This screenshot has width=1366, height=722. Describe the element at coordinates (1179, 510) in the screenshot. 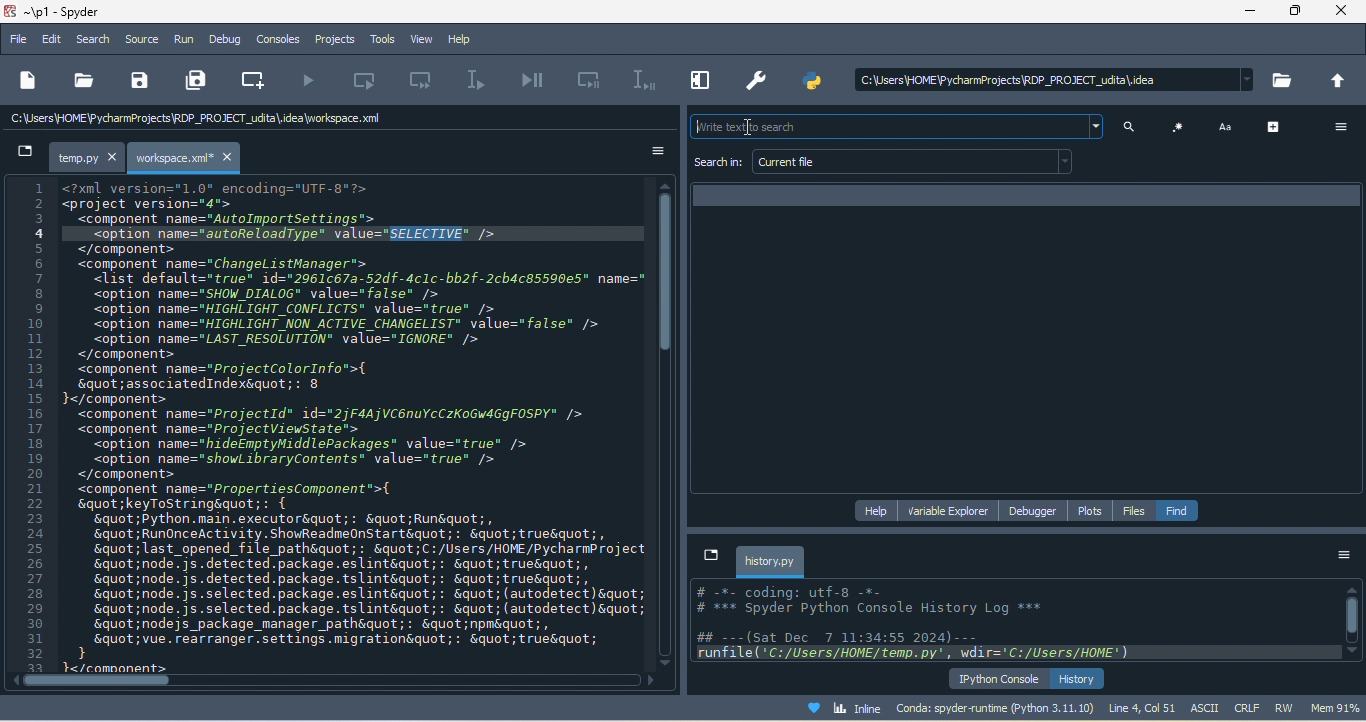

I see `find` at that location.